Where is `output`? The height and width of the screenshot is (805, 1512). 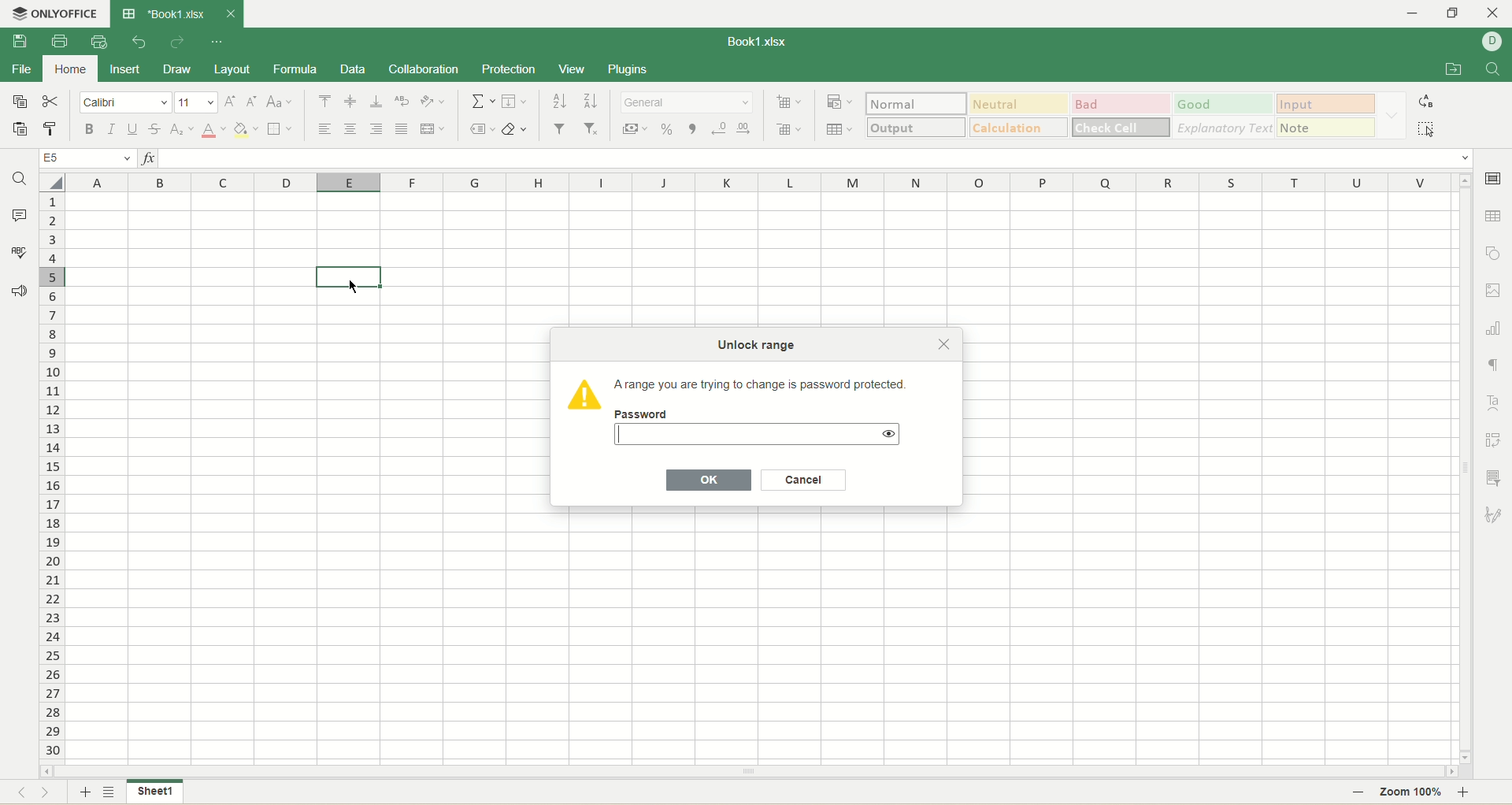 output is located at coordinates (917, 126).